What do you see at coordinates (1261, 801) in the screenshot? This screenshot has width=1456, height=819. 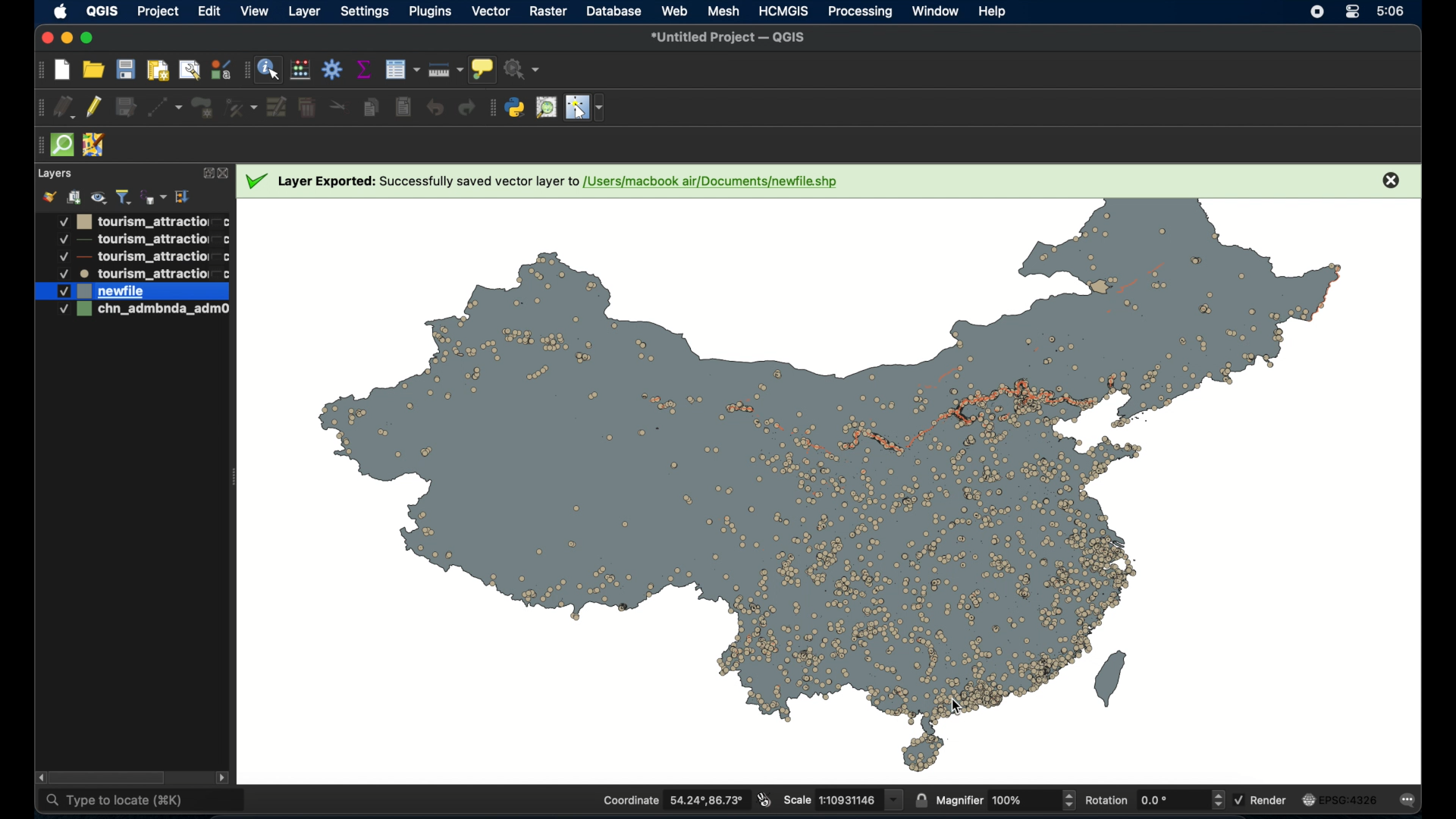 I see `render` at bounding box center [1261, 801].